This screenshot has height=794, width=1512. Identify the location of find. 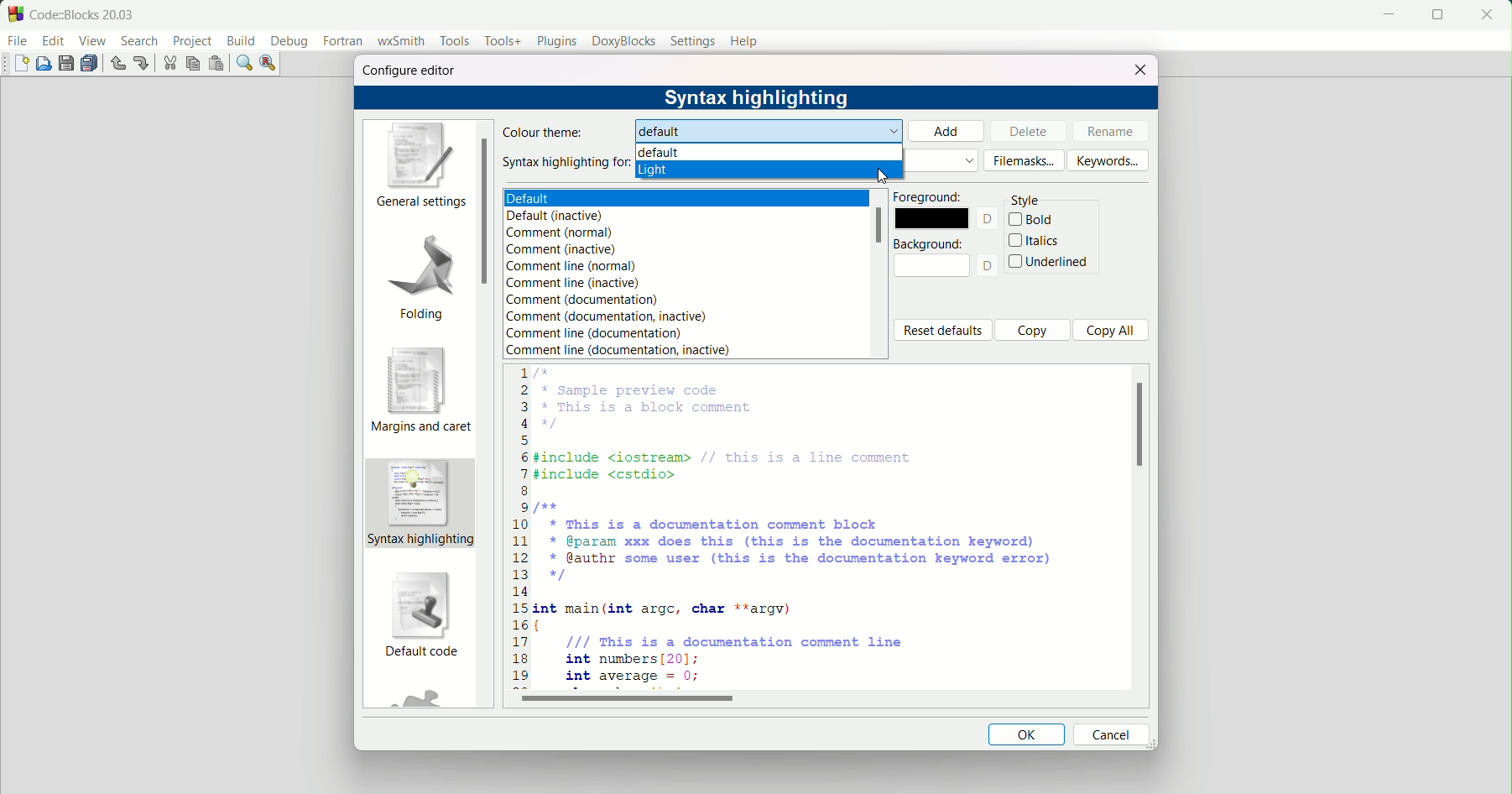
(244, 62).